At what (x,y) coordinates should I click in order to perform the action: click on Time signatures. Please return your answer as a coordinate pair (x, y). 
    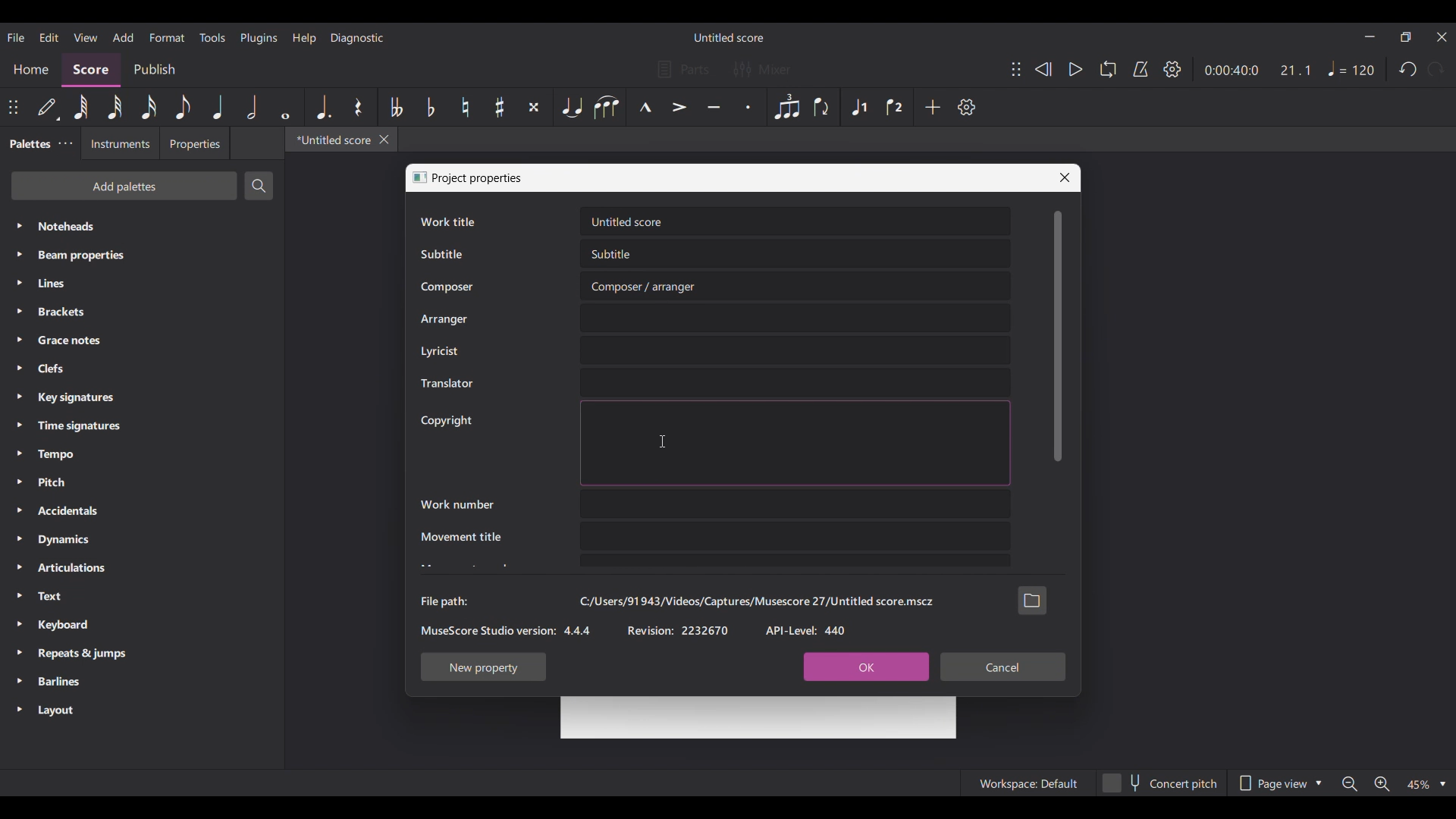
    Looking at the image, I should click on (141, 426).